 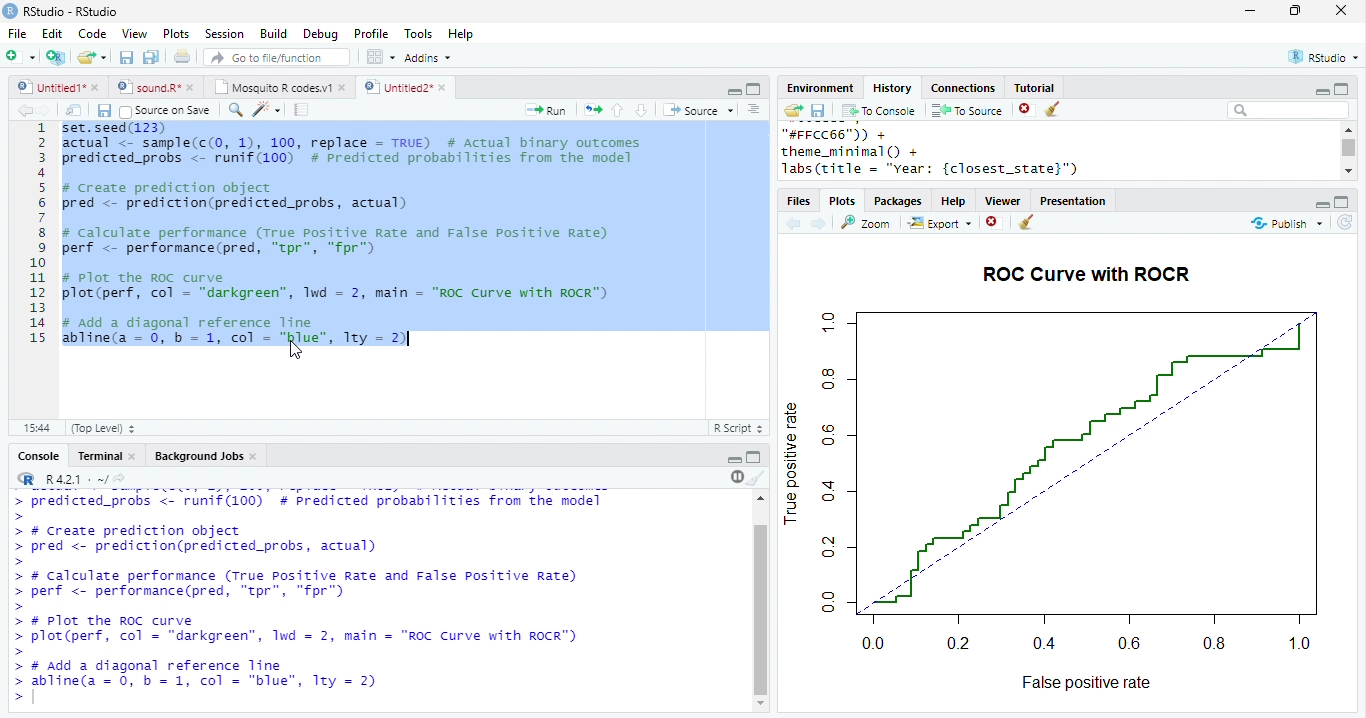 What do you see at coordinates (344, 87) in the screenshot?
I see `close` at bounding box center [344, 87].